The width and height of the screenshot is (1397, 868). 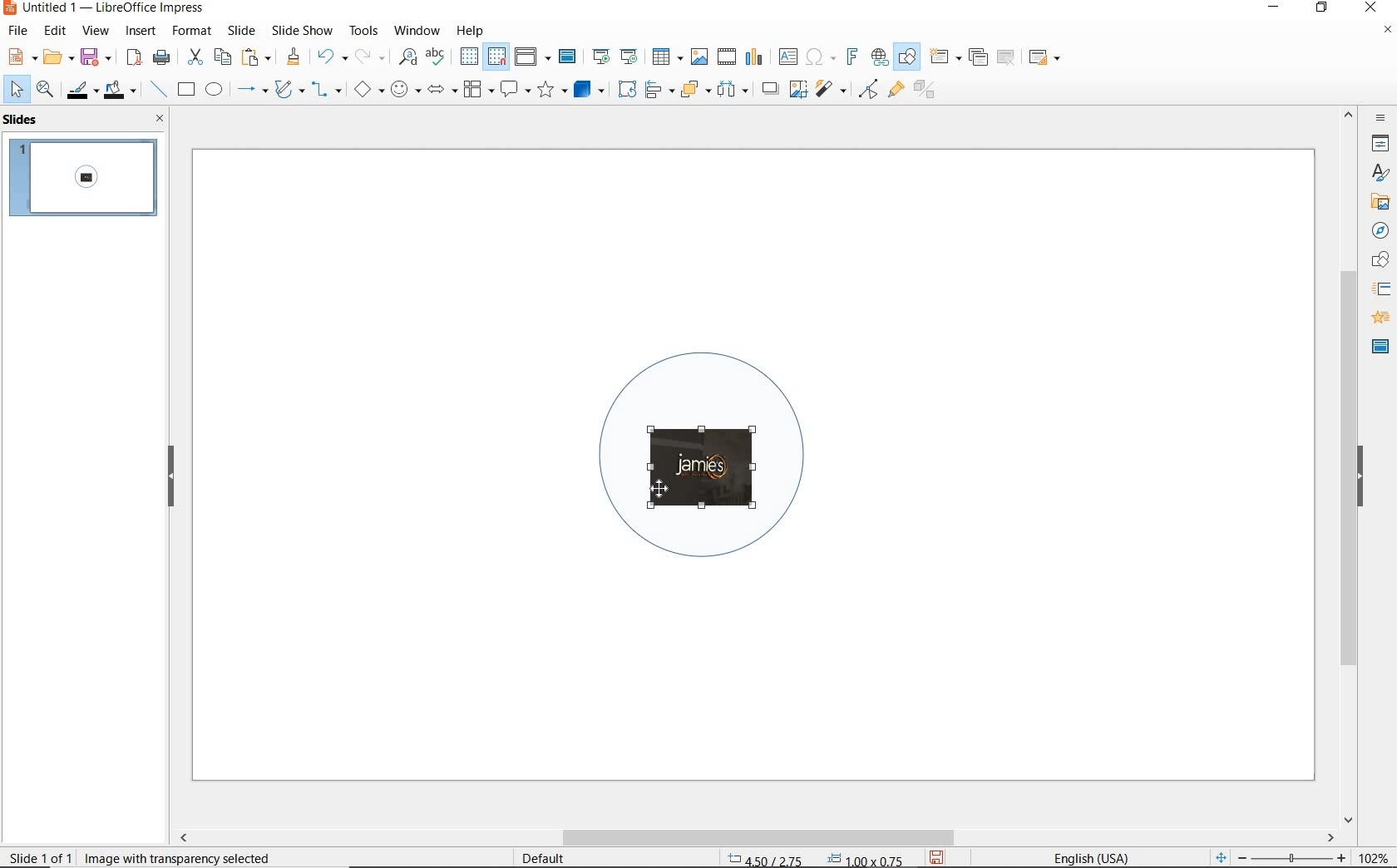 What do you see at coordinates (1360, 478) in the screenshot?
I see `hide` at bounding box center [1360, 478].